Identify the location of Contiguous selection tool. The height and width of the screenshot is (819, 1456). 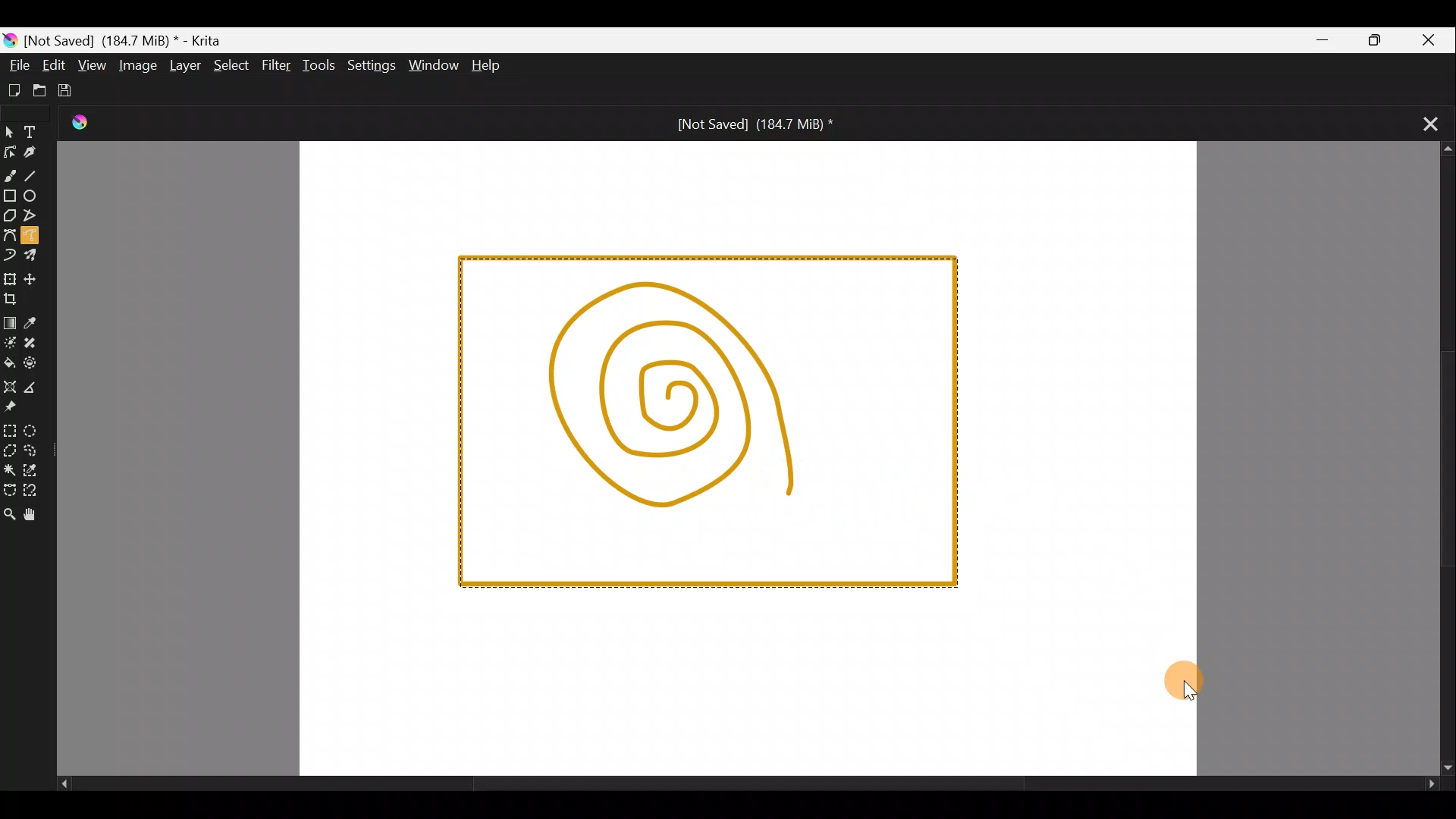
(9, 467).